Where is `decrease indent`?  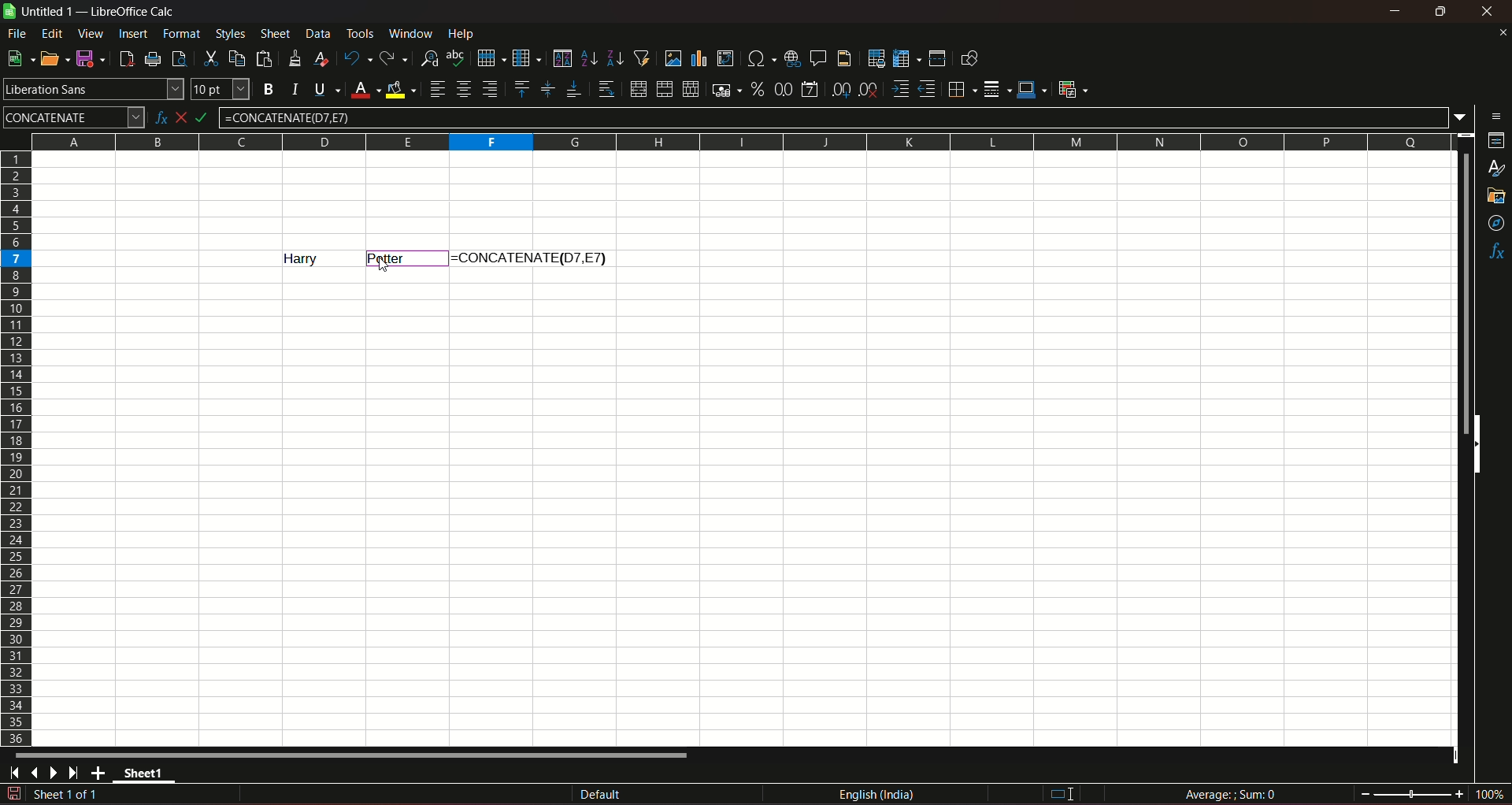 decrease indent is located at coordinates (927, 89).